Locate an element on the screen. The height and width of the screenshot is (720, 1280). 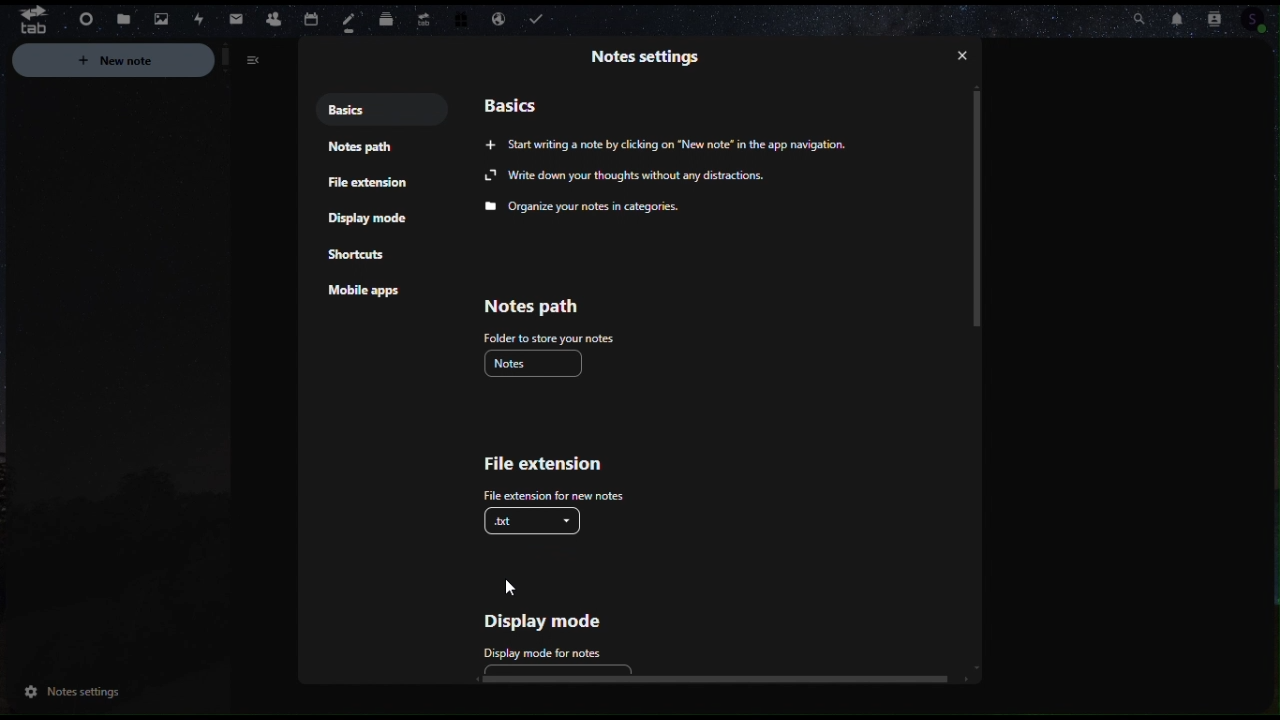
Activities is located at coordinates (197, 20).